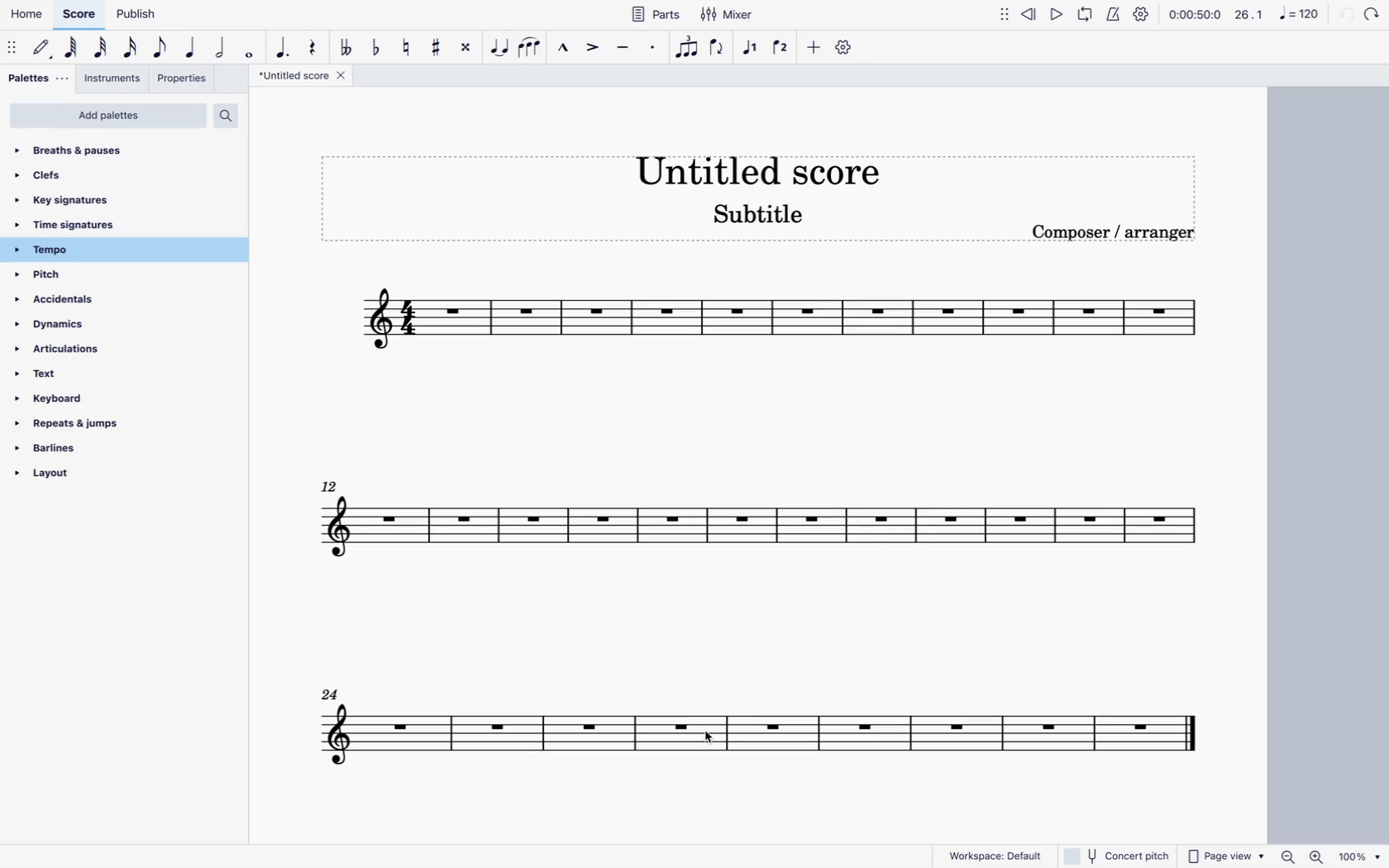 This screenshot has width=1389, height=868. Describe the element at coordinates (1000, 13) in the screenshot. I see `move` at that location.